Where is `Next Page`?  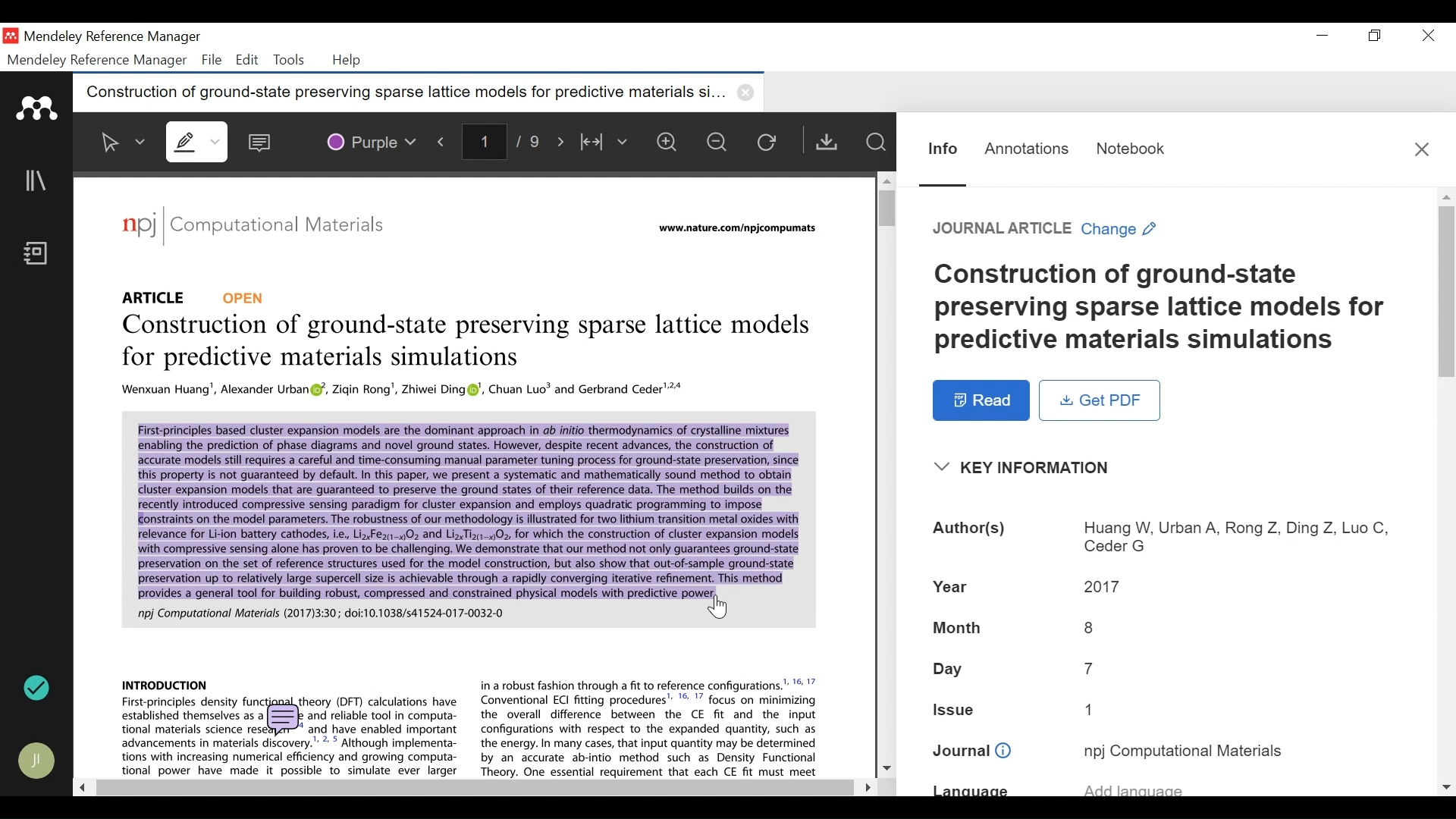 Next Page is located at coordinates (563, 140).